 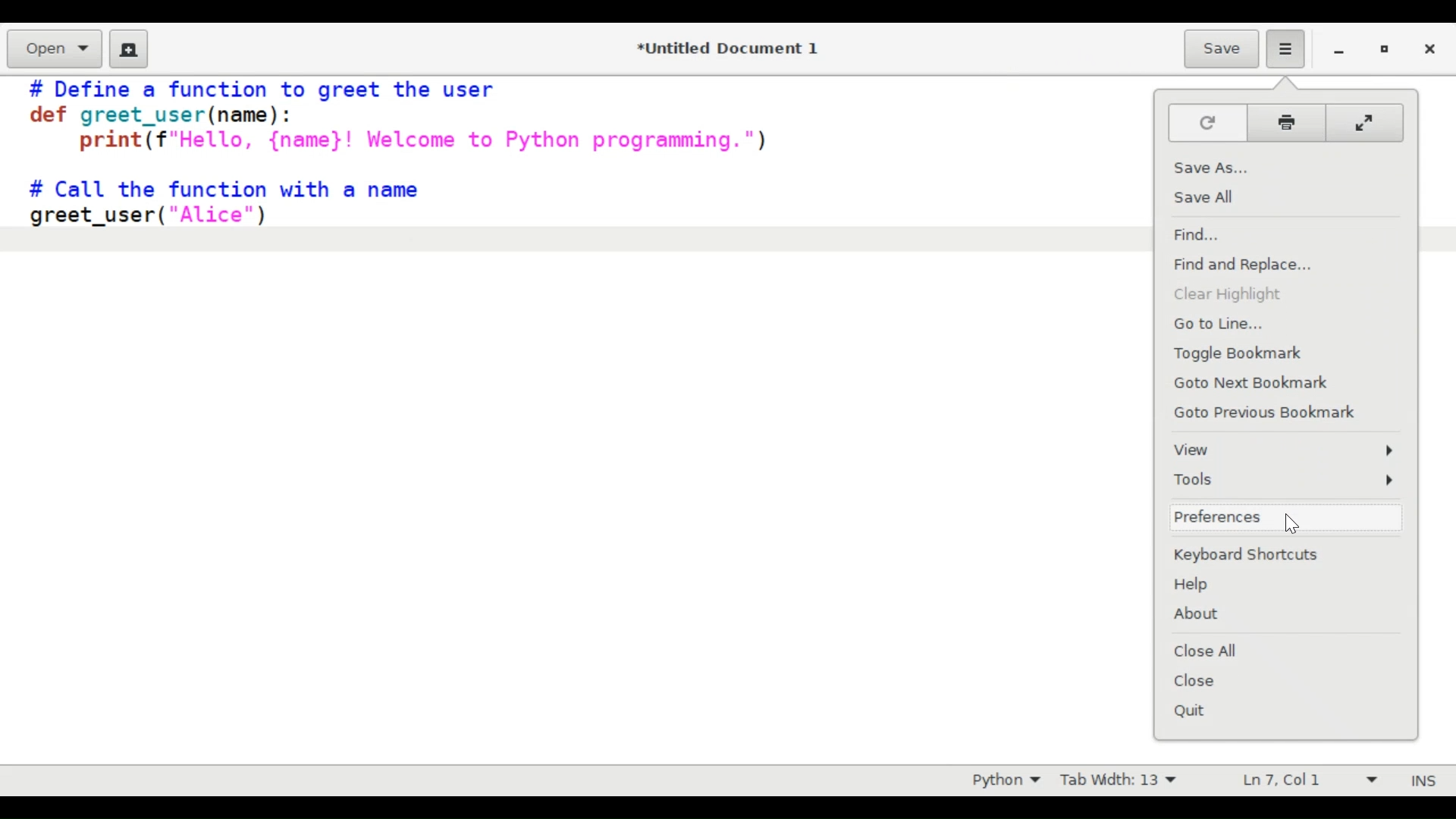 What do you see at coordinates (1223, 48) in the screenshot?
I see `Save` at bounding box center [1223, 48].